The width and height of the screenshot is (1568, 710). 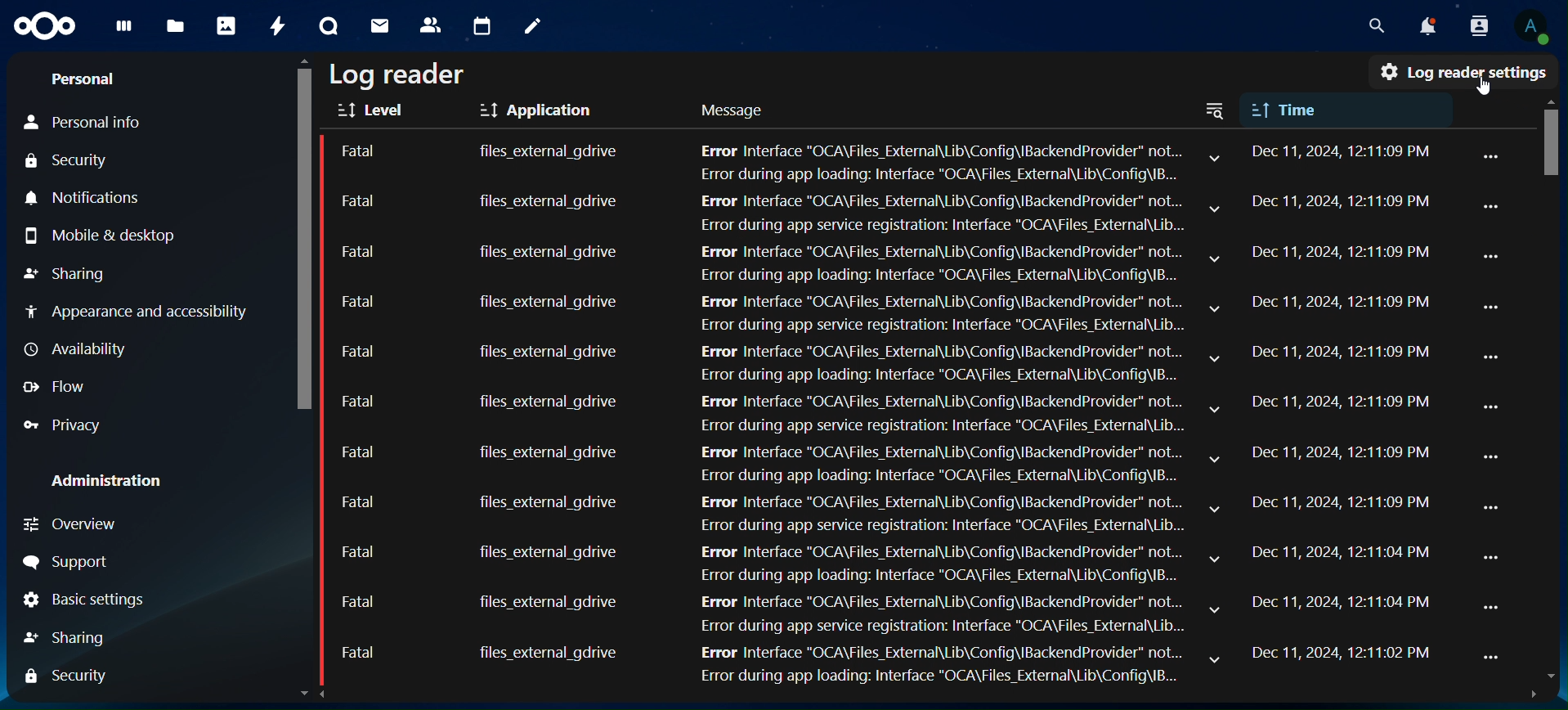 What do you see at coordinates (1474, 25) in the screenshot?
I see `search contacts` at bounding box center [1474, 25].